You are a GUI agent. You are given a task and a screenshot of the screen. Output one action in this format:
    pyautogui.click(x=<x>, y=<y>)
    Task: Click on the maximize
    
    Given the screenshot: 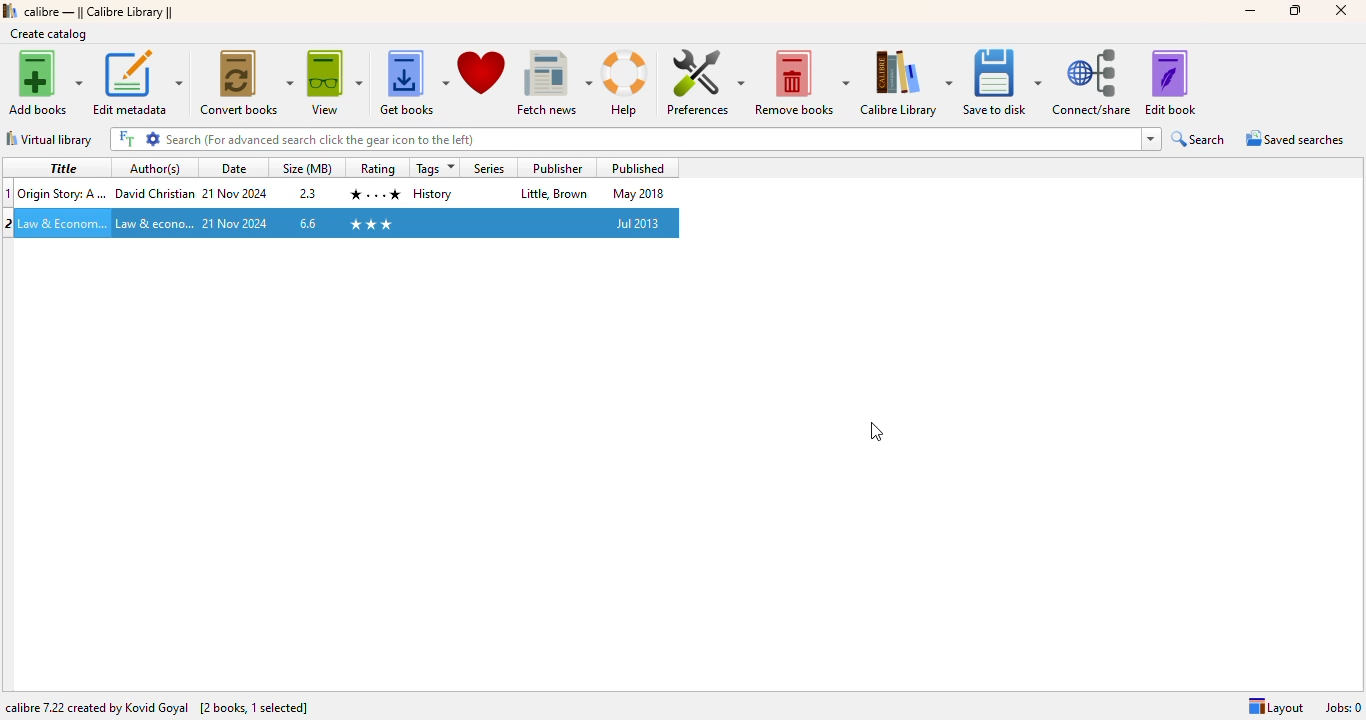 What is the action you would take?
    pyautogui.click(x=1296, y=10)
    